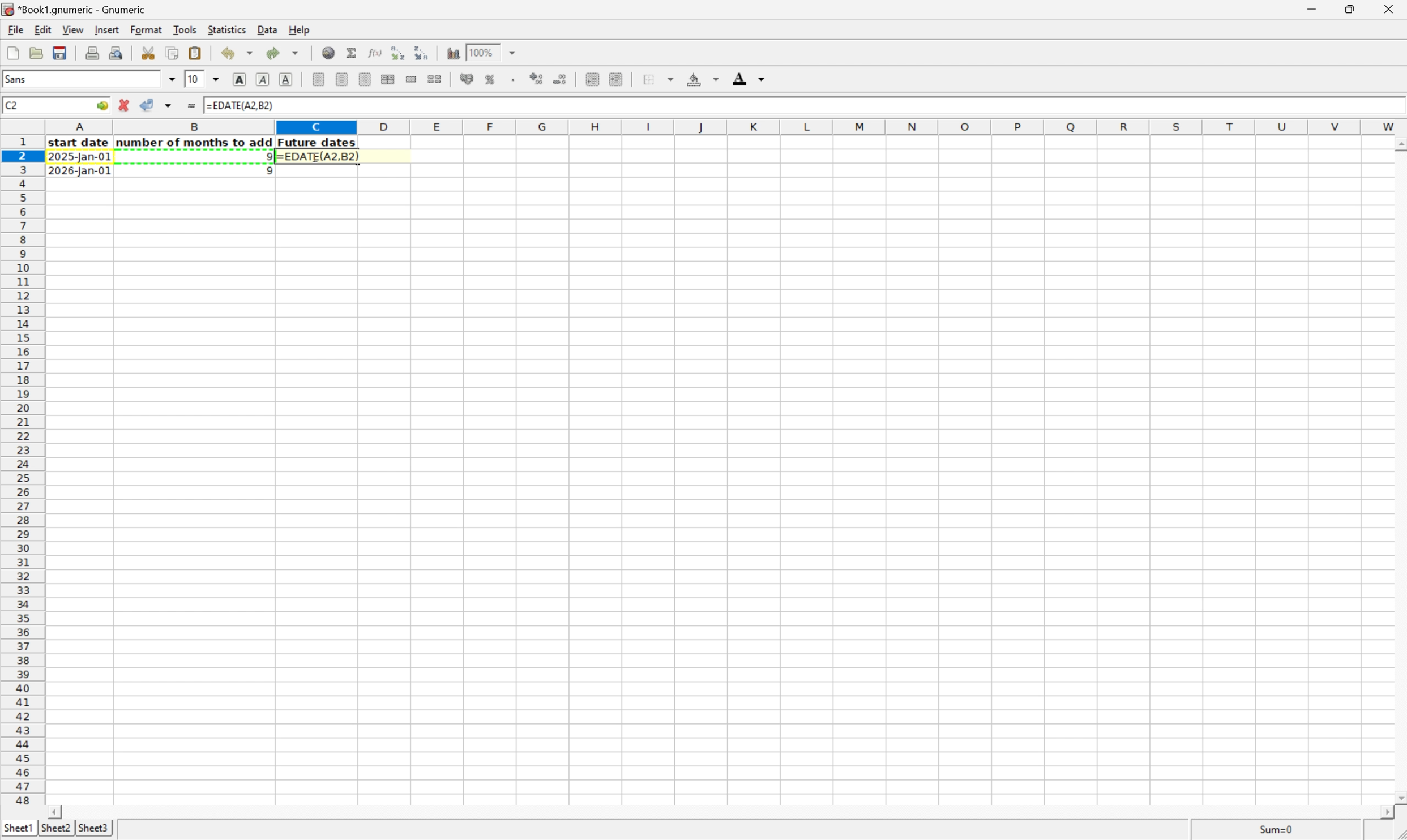 This screenshot has width=1407, height=840. Describe the element at coordinates (186, 29) in the screenshot. I see `Tools` at that location.